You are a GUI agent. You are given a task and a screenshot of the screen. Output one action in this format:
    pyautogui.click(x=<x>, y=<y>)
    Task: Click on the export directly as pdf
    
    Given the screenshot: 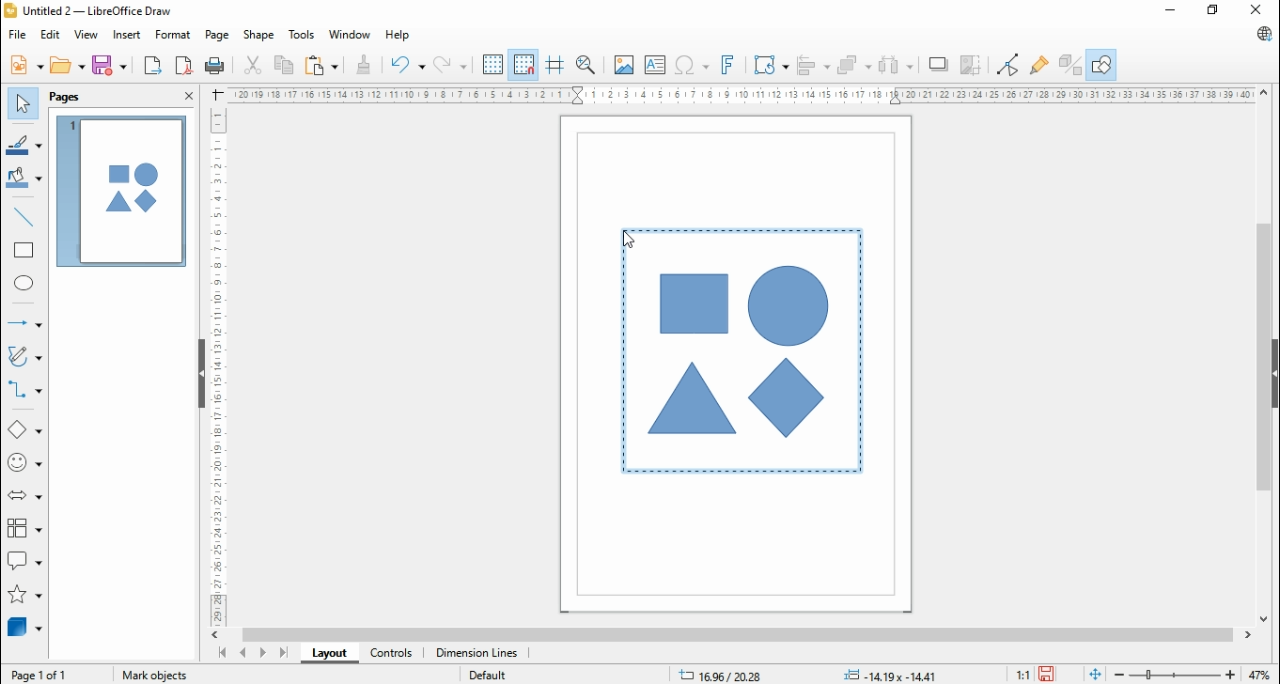 What is the action you would take?
    pyautogui.click(x=183, y=65)
    